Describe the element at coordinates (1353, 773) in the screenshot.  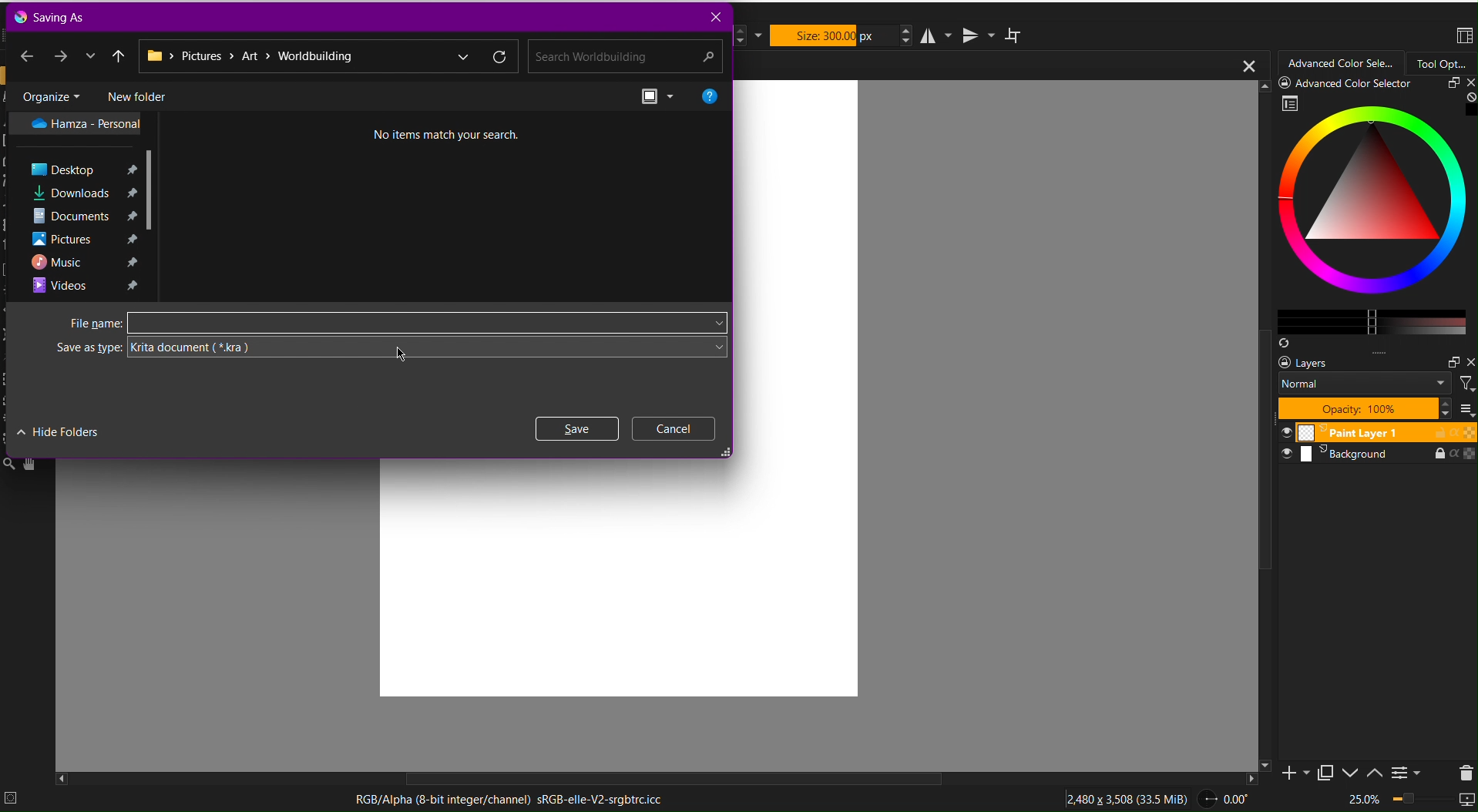
I see `Slide Options` at that location.